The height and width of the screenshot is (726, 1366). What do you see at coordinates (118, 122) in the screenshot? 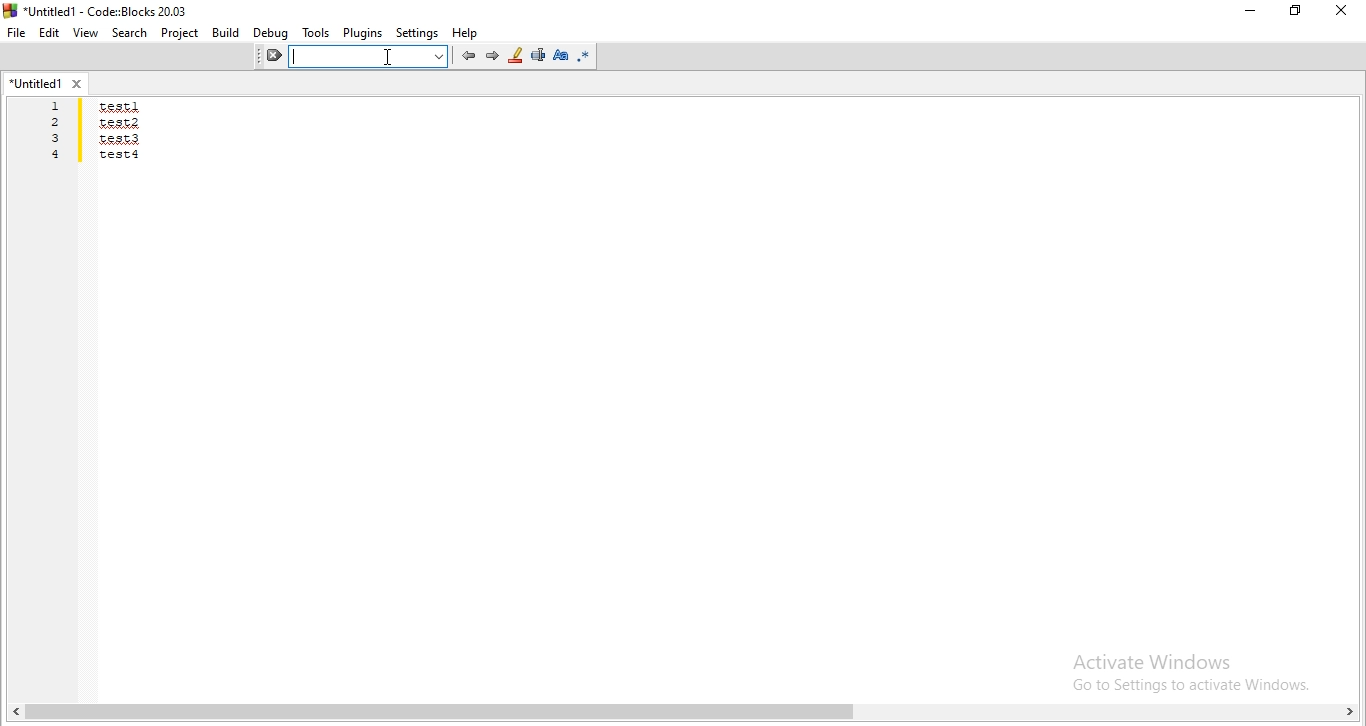
I see `test2` at bounding box center [118, 122].